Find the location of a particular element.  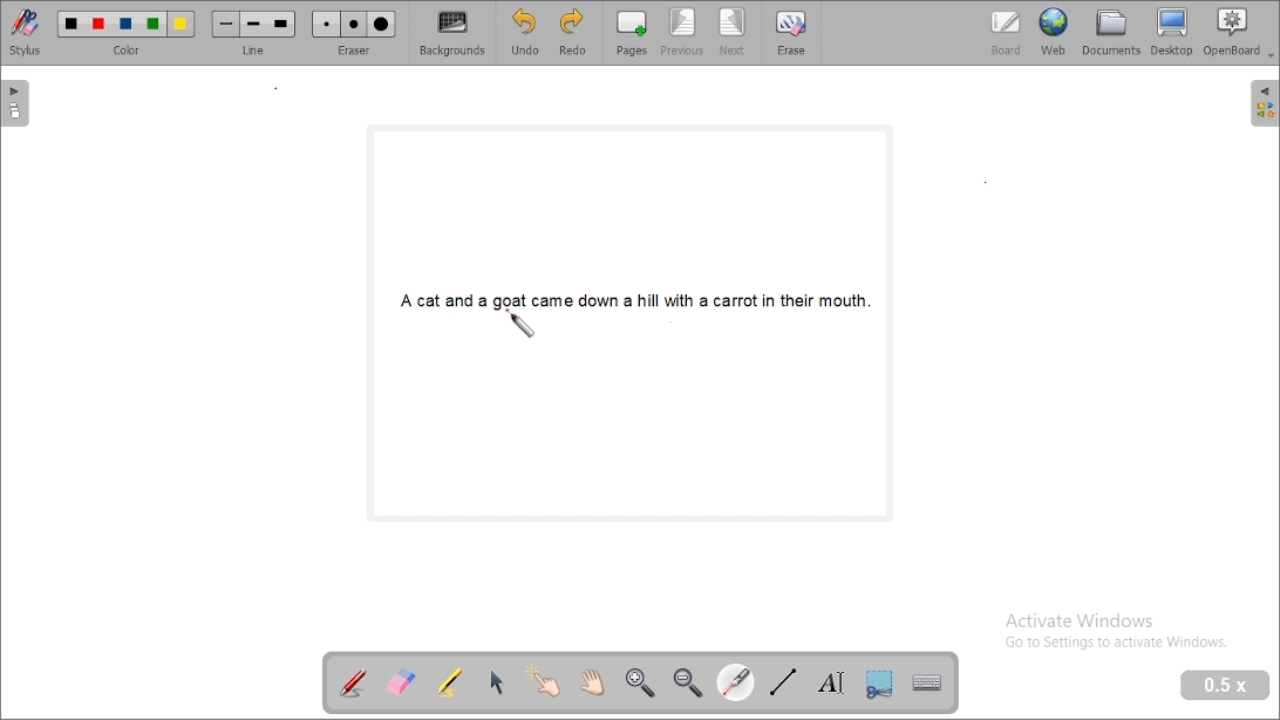

erase annotation is located at coordinates (402, 682).